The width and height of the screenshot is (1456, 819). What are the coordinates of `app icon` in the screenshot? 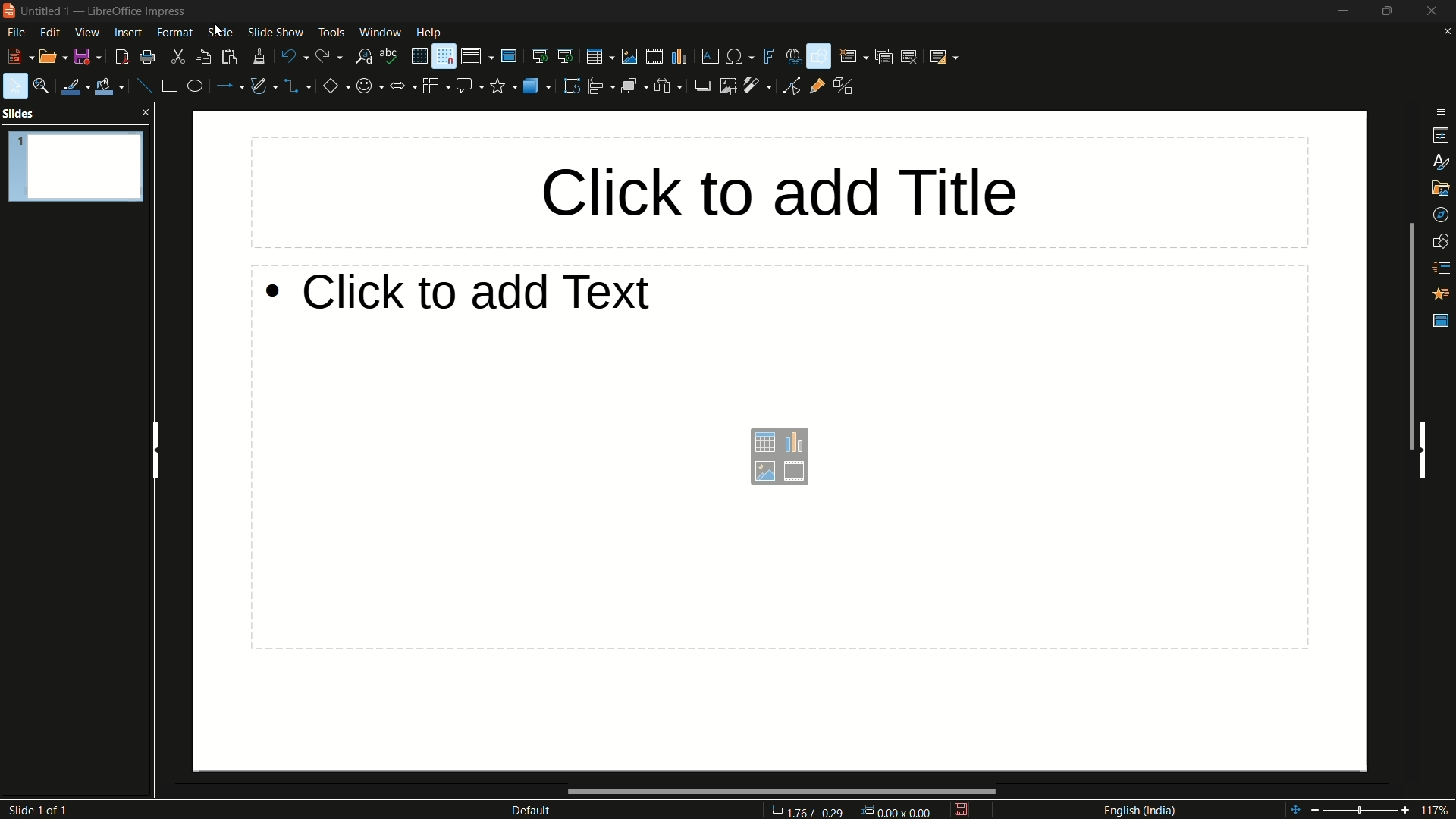 It's located at (10, 11).